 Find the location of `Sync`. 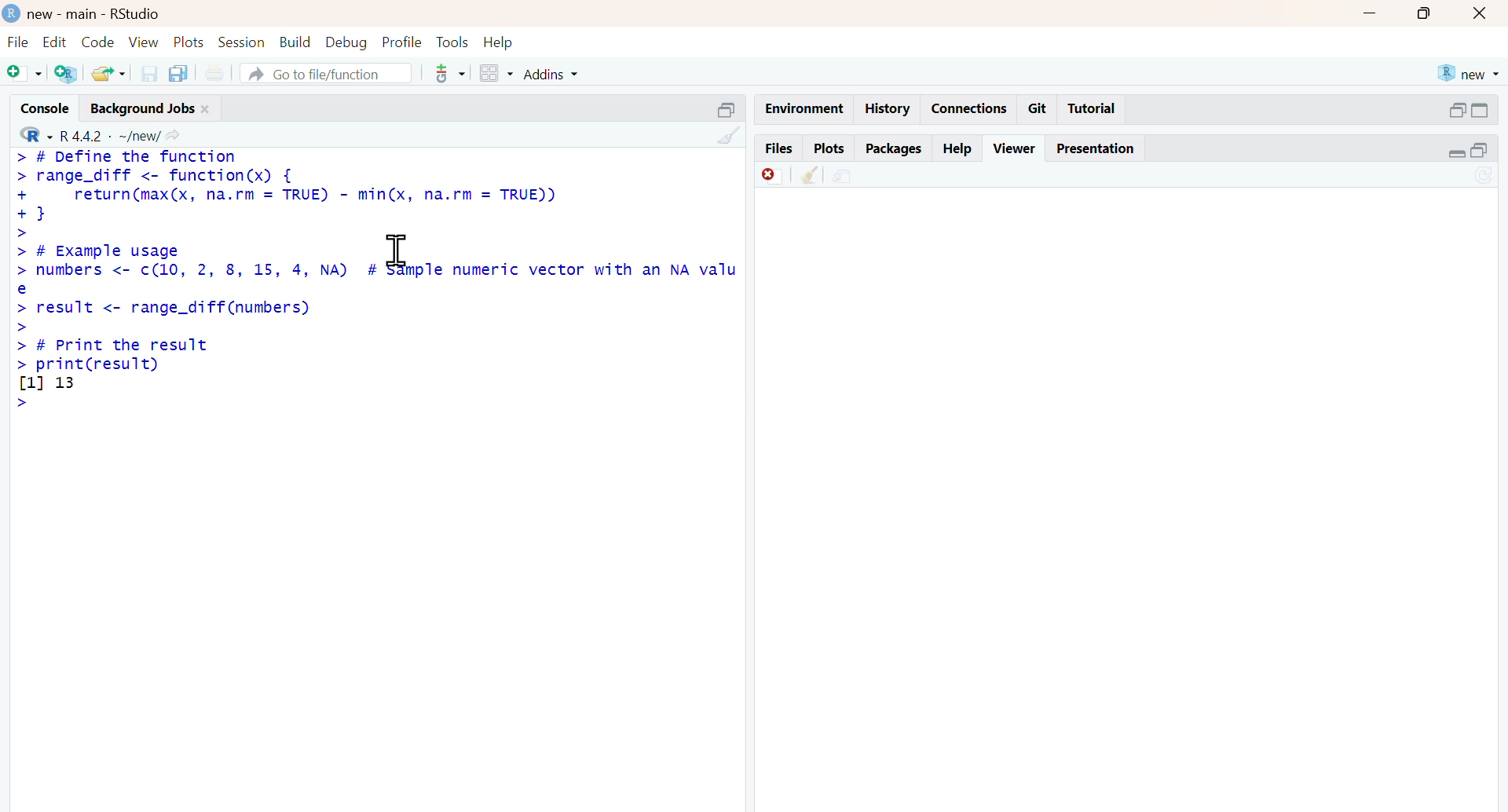

Sync is located at coordinates (1484, 177).